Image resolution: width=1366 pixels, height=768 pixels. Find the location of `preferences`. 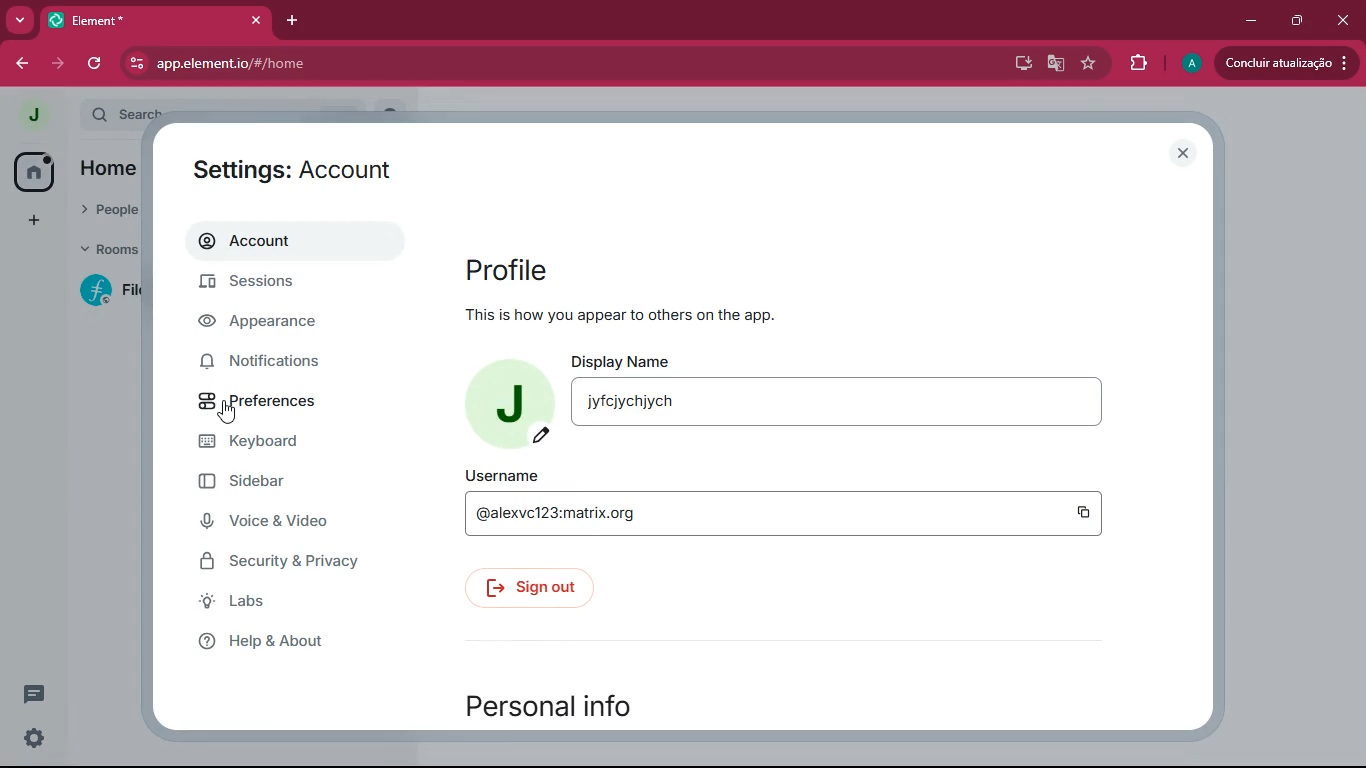

preferences is located at coordinates (292, 396).